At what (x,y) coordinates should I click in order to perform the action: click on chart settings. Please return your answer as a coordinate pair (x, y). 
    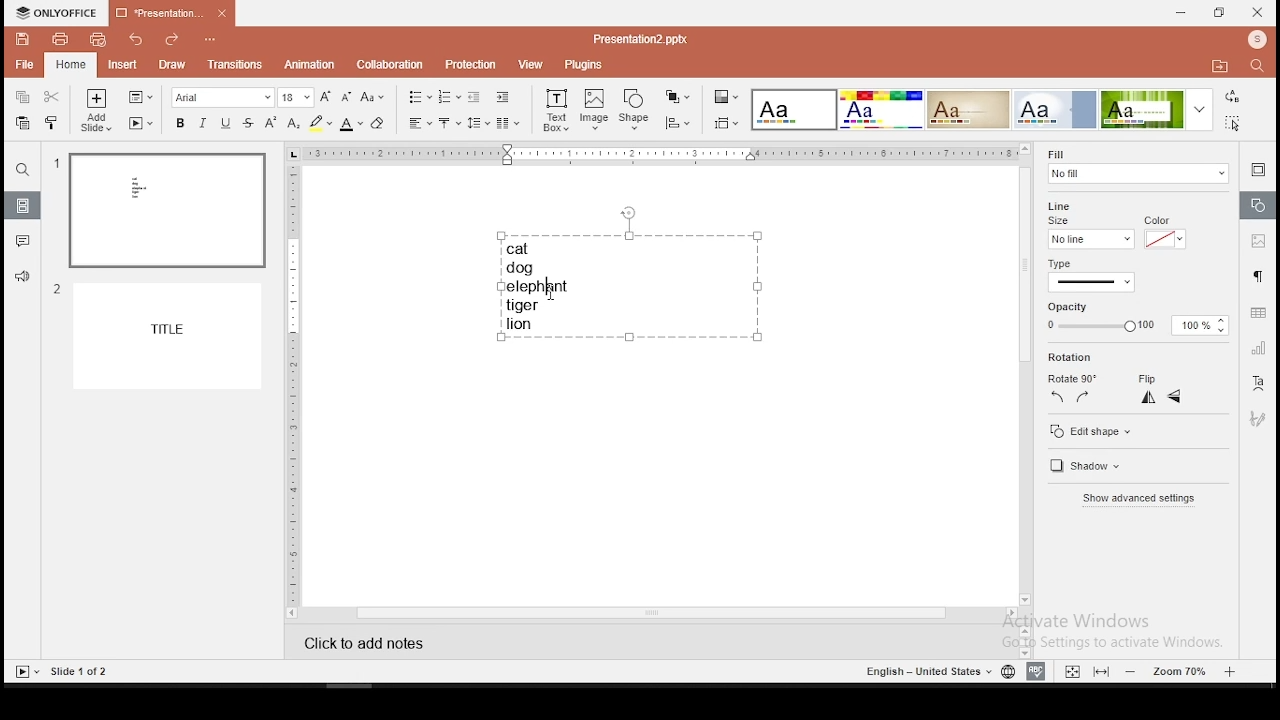
    Looking at the image, I should click on (1257, 349).